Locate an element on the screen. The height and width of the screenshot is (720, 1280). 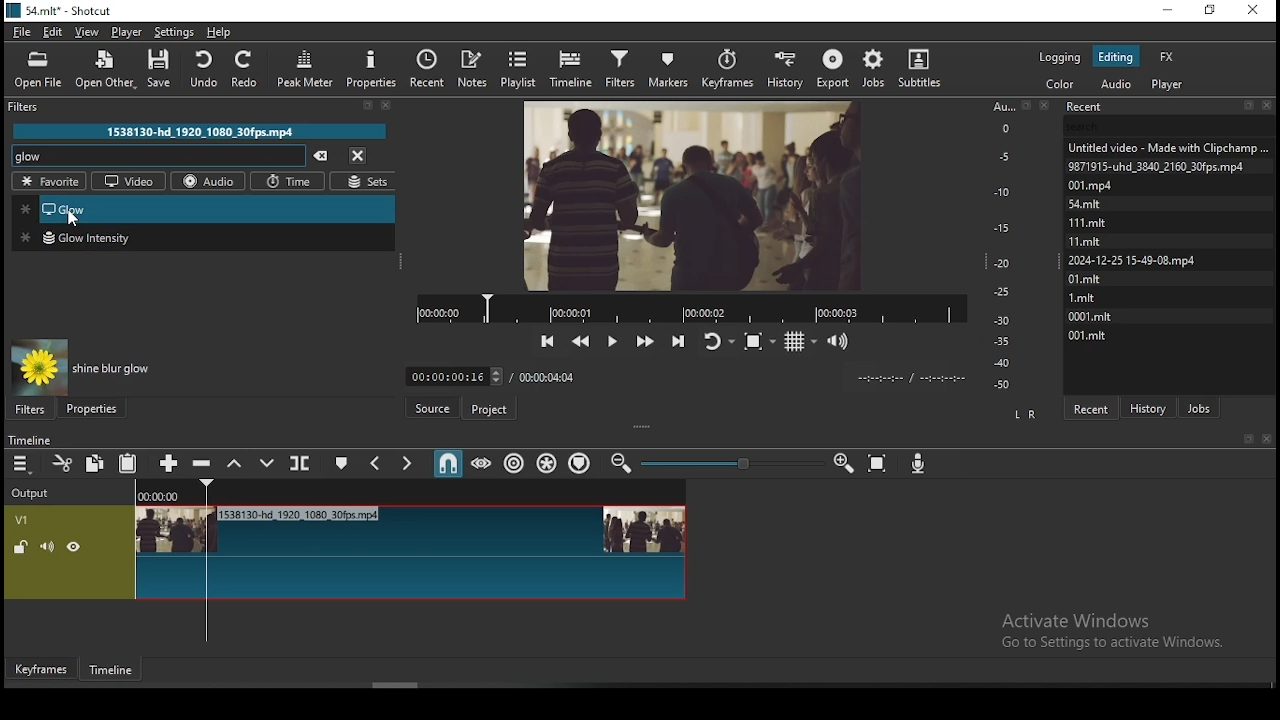
timeline is located at coordinates (28, 441).